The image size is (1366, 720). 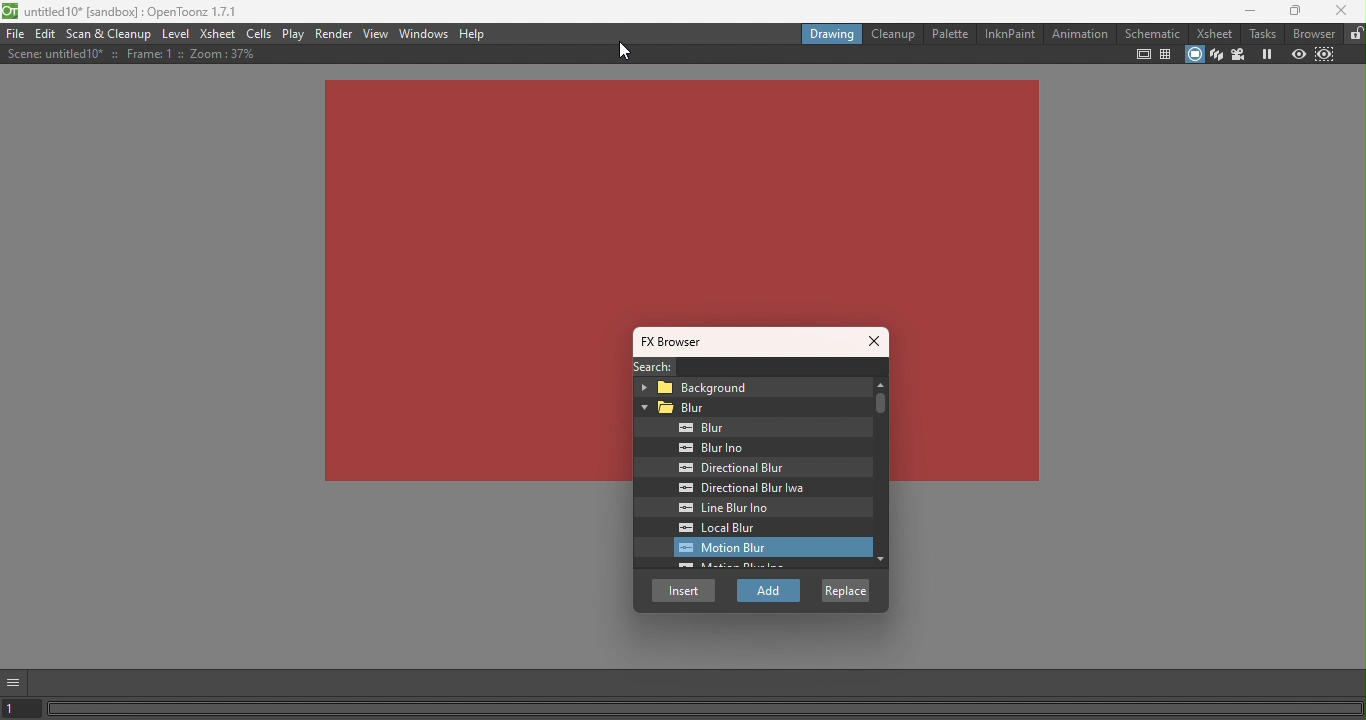 What do you see at coordinates (14, 683) in the screenshot?
I see `GUI show/hide` at bounding box center [14, 683].